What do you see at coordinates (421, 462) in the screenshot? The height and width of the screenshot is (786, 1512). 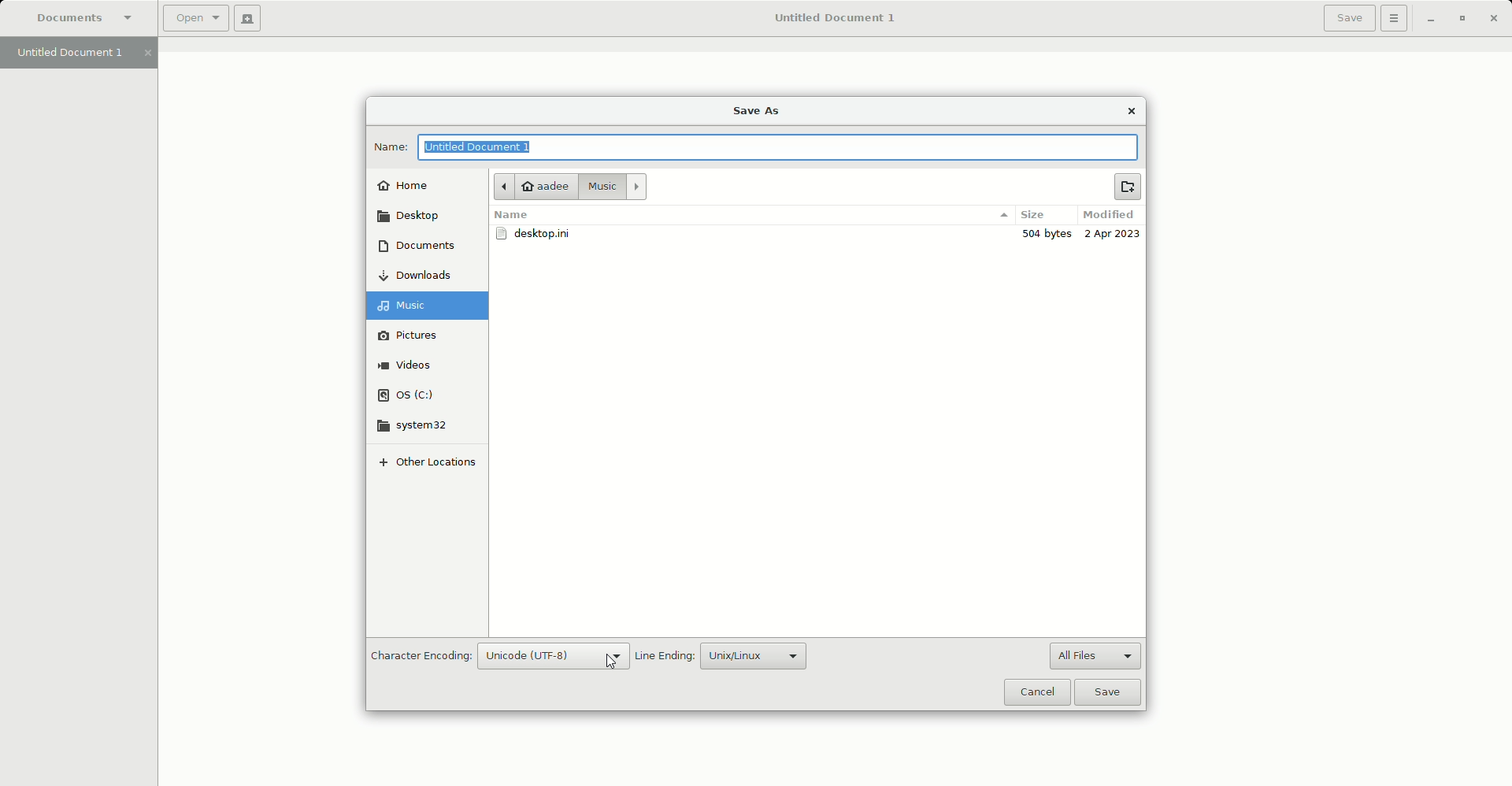 I see `Other locations` at bounding box center [421, 462].